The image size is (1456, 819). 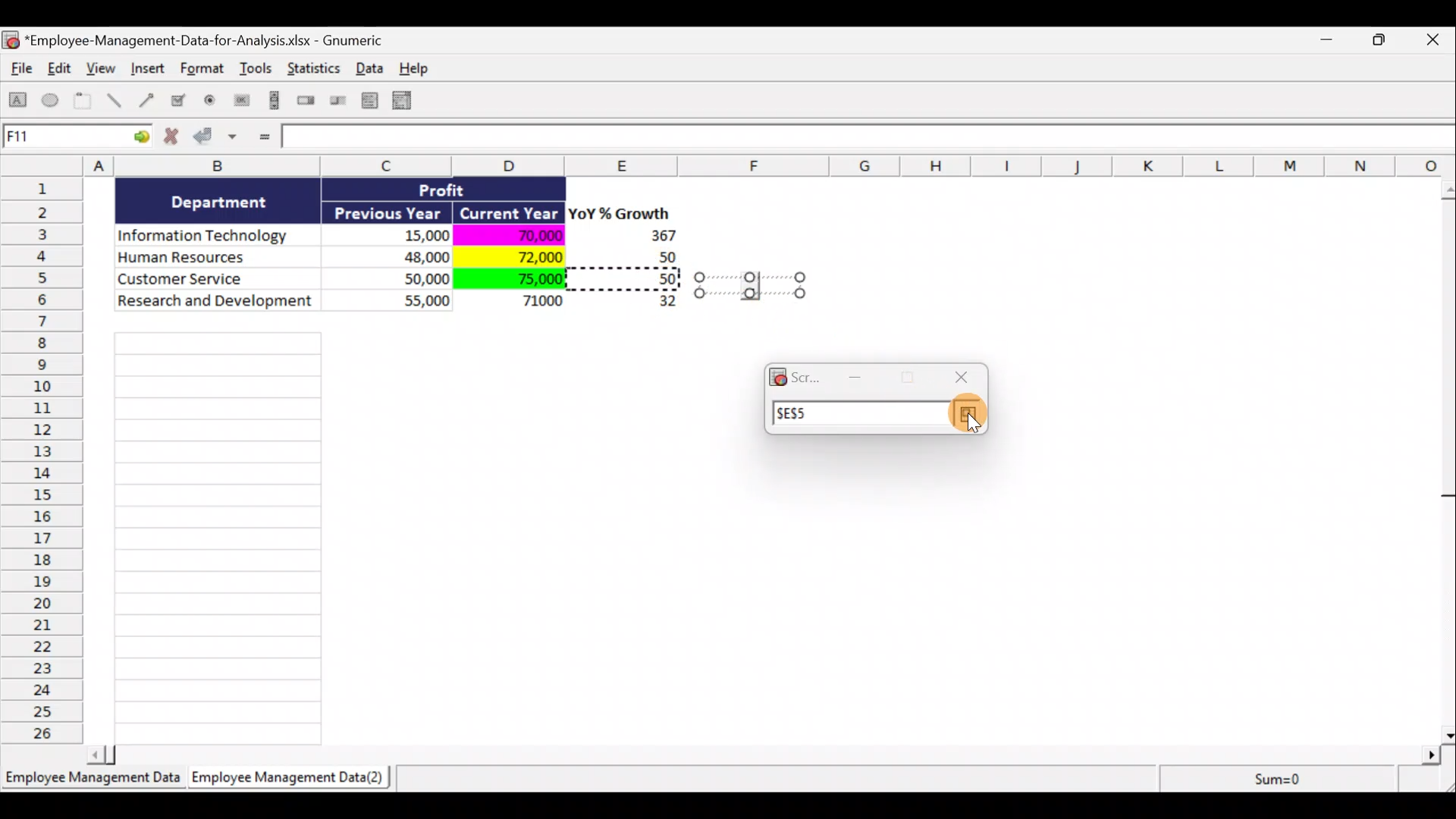 What do you see at coordinates (908, 378) in the screenshot?
I see `maximize` at bounding box center [908, 378].